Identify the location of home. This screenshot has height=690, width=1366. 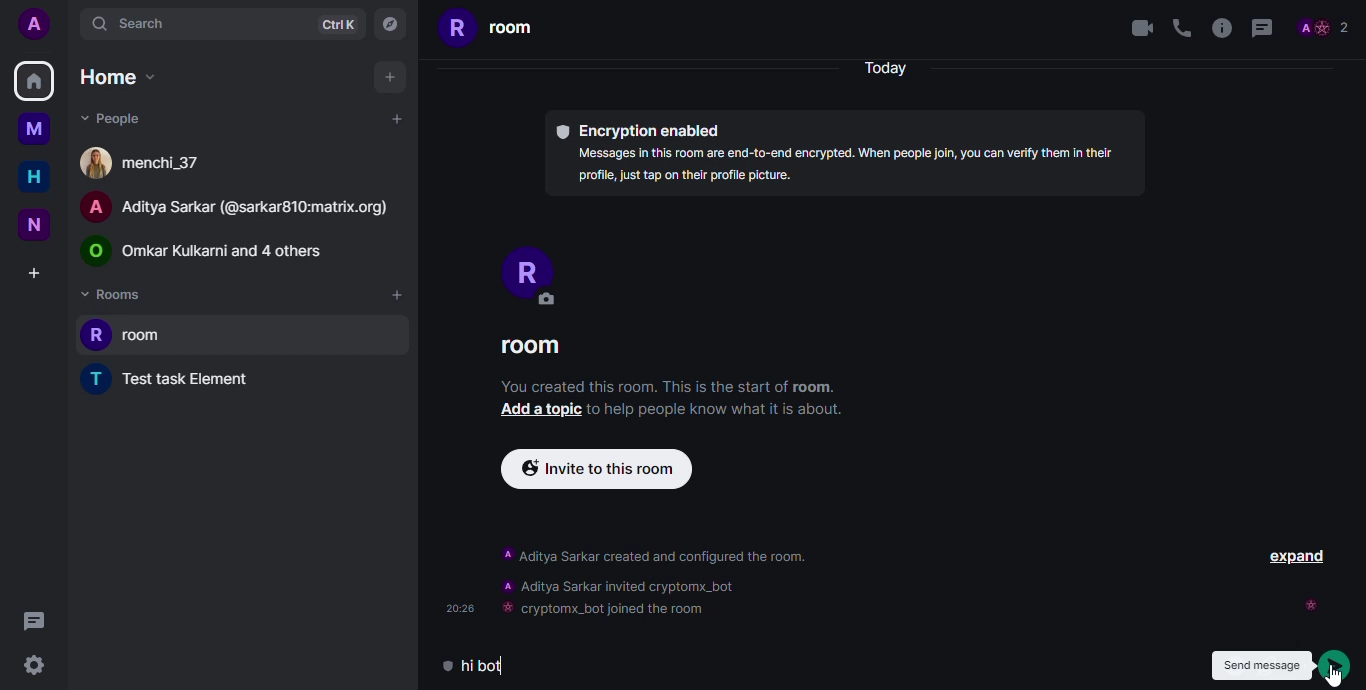
(33, 81).